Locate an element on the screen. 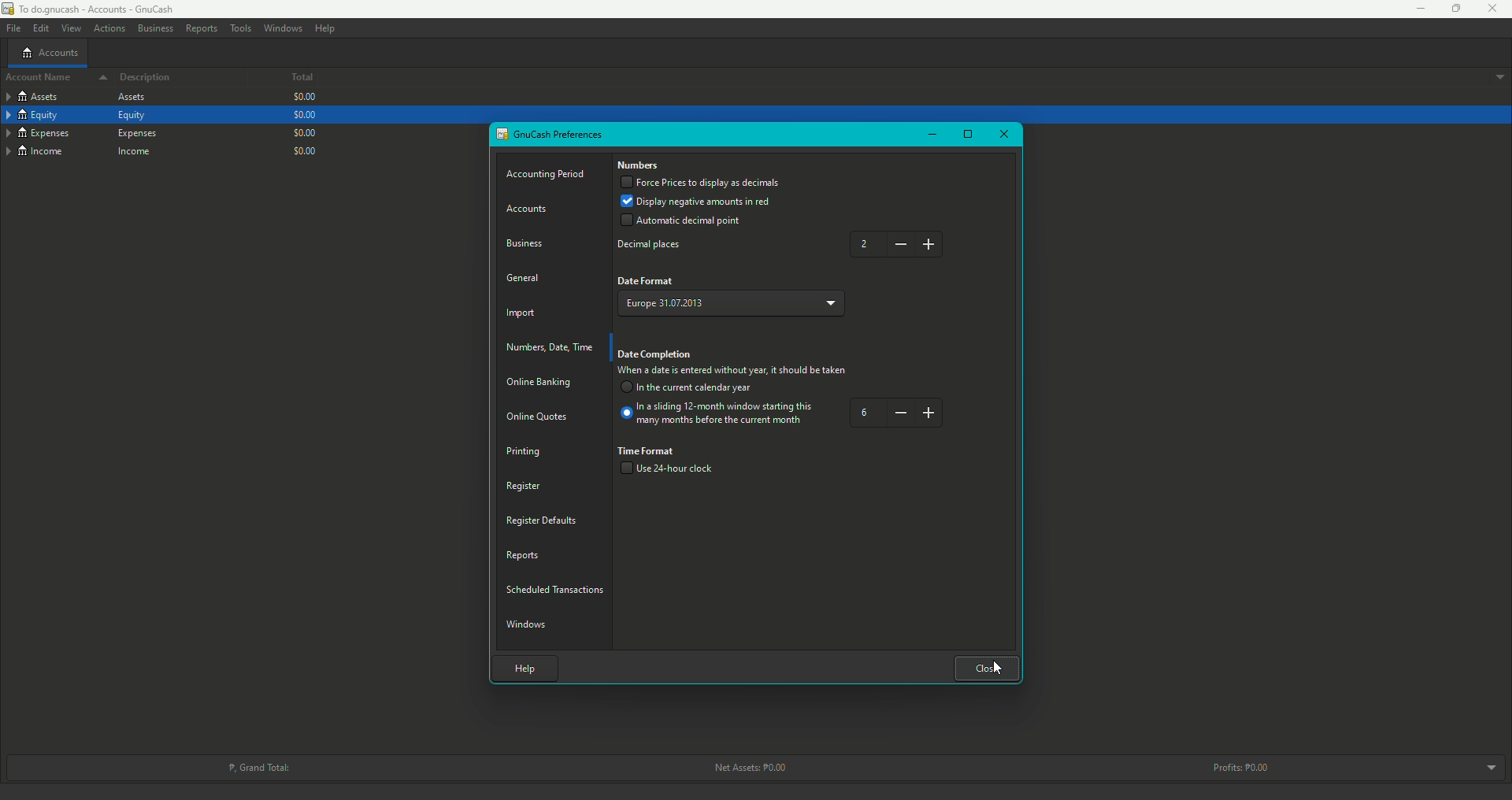 The width and height of the screenshot is (1512, 800). Schedule Transactions is located at coordinates (558, 587).